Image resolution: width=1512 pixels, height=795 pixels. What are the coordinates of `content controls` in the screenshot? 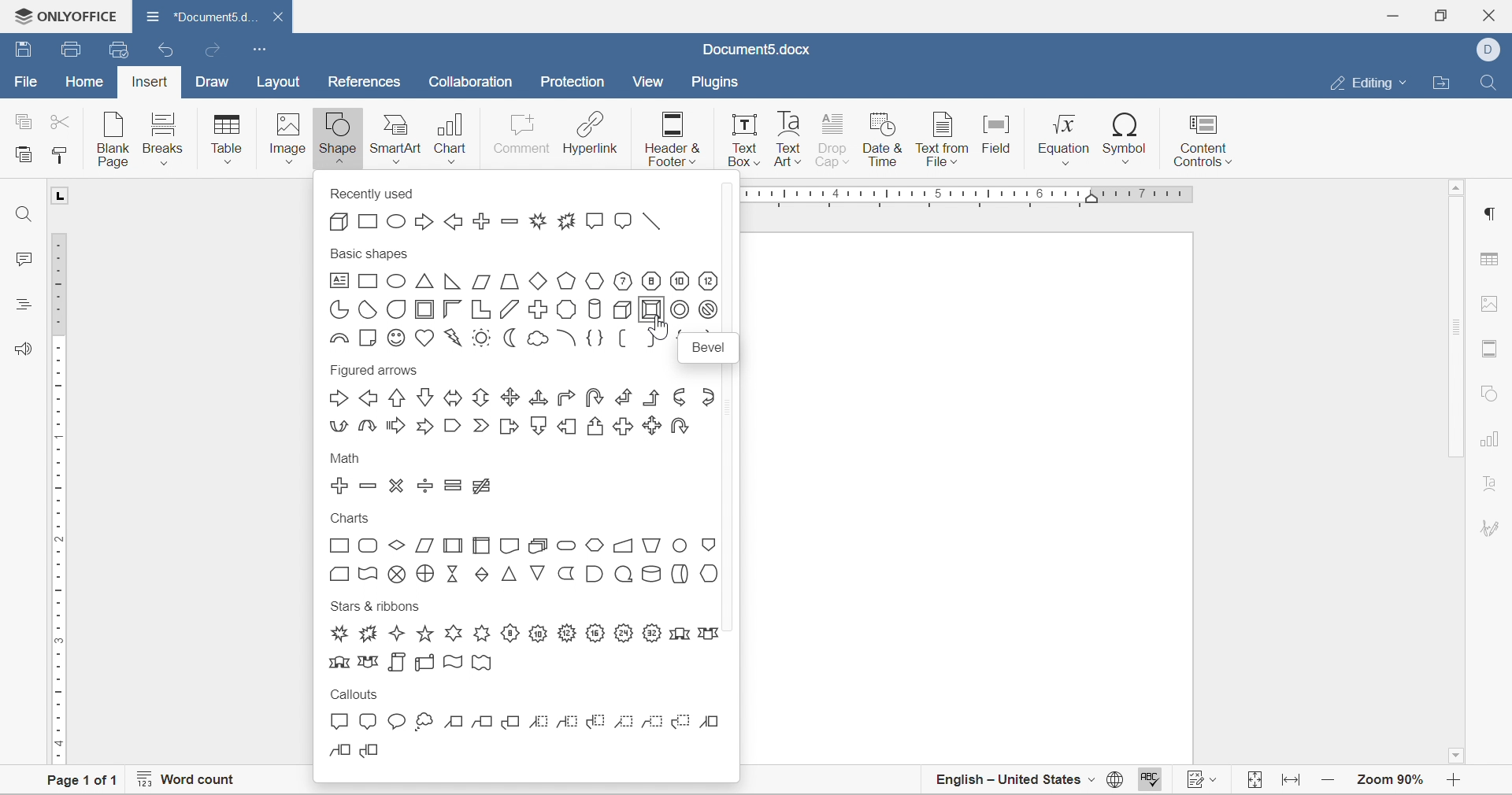 It's located at (1203, 140).